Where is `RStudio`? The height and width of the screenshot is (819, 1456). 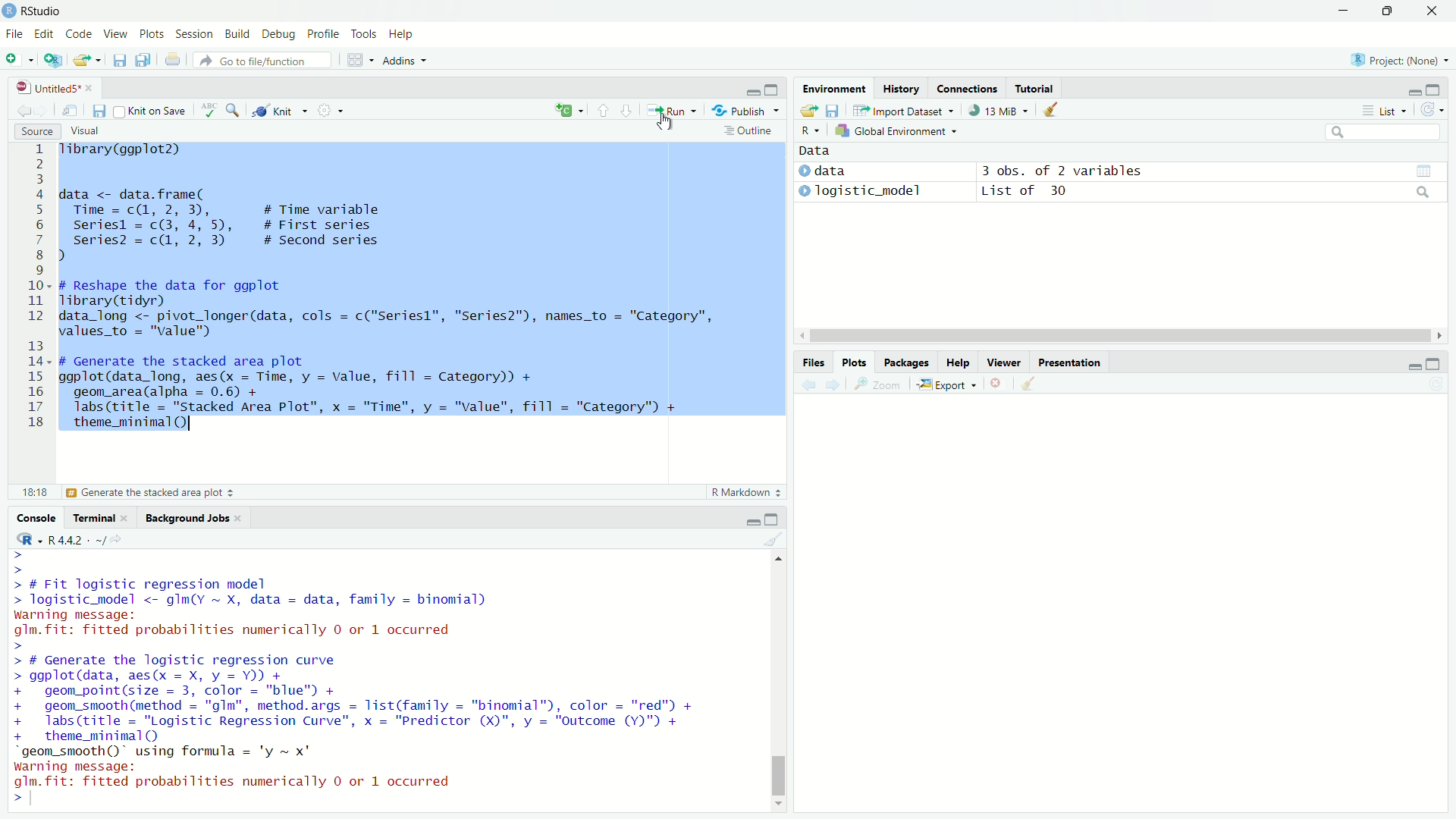 RStudio is located at coordinates (39, 10).